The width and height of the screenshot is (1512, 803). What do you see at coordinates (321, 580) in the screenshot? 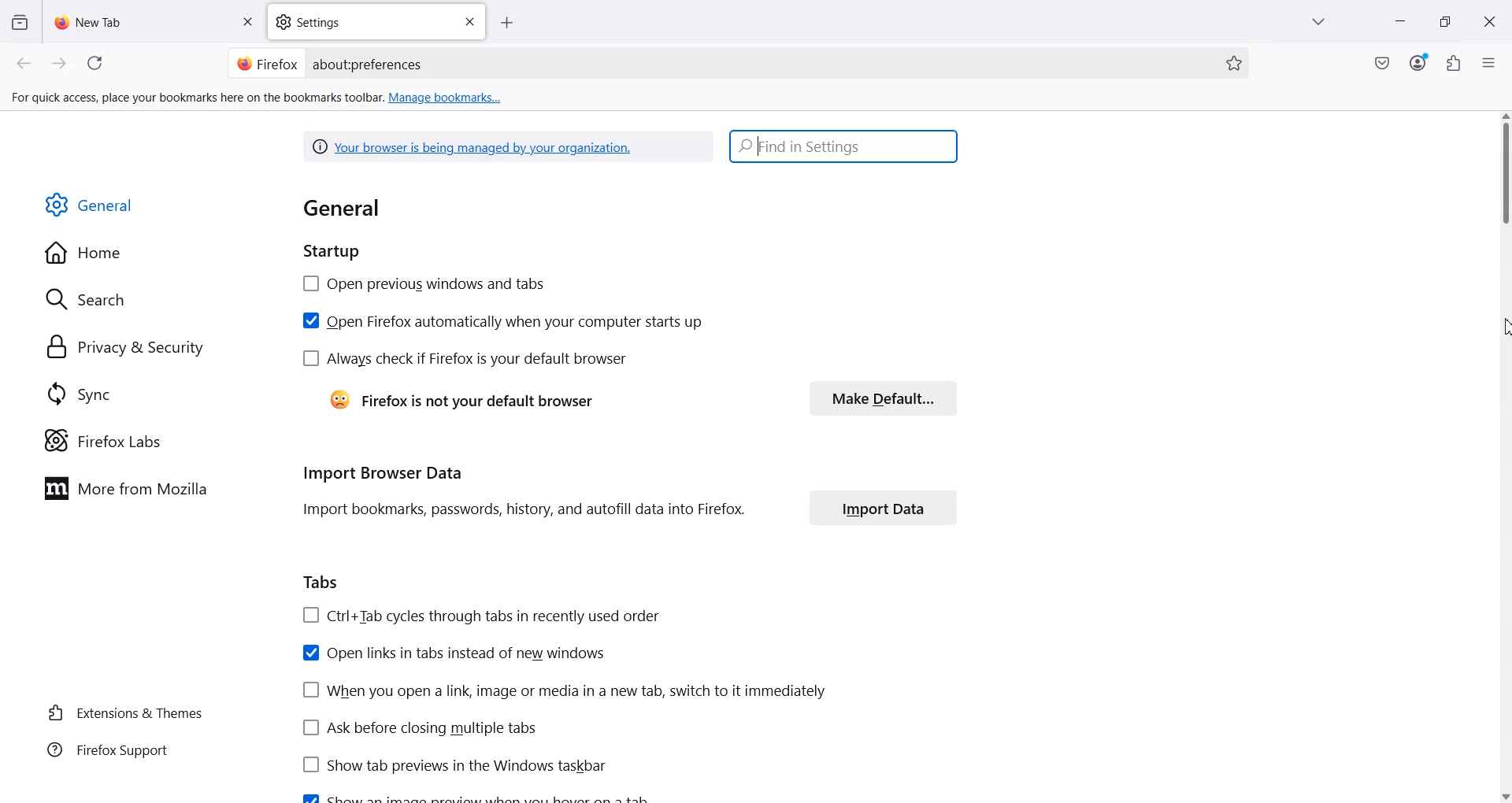
I see `Tabs` at bounding box center [321, 580].